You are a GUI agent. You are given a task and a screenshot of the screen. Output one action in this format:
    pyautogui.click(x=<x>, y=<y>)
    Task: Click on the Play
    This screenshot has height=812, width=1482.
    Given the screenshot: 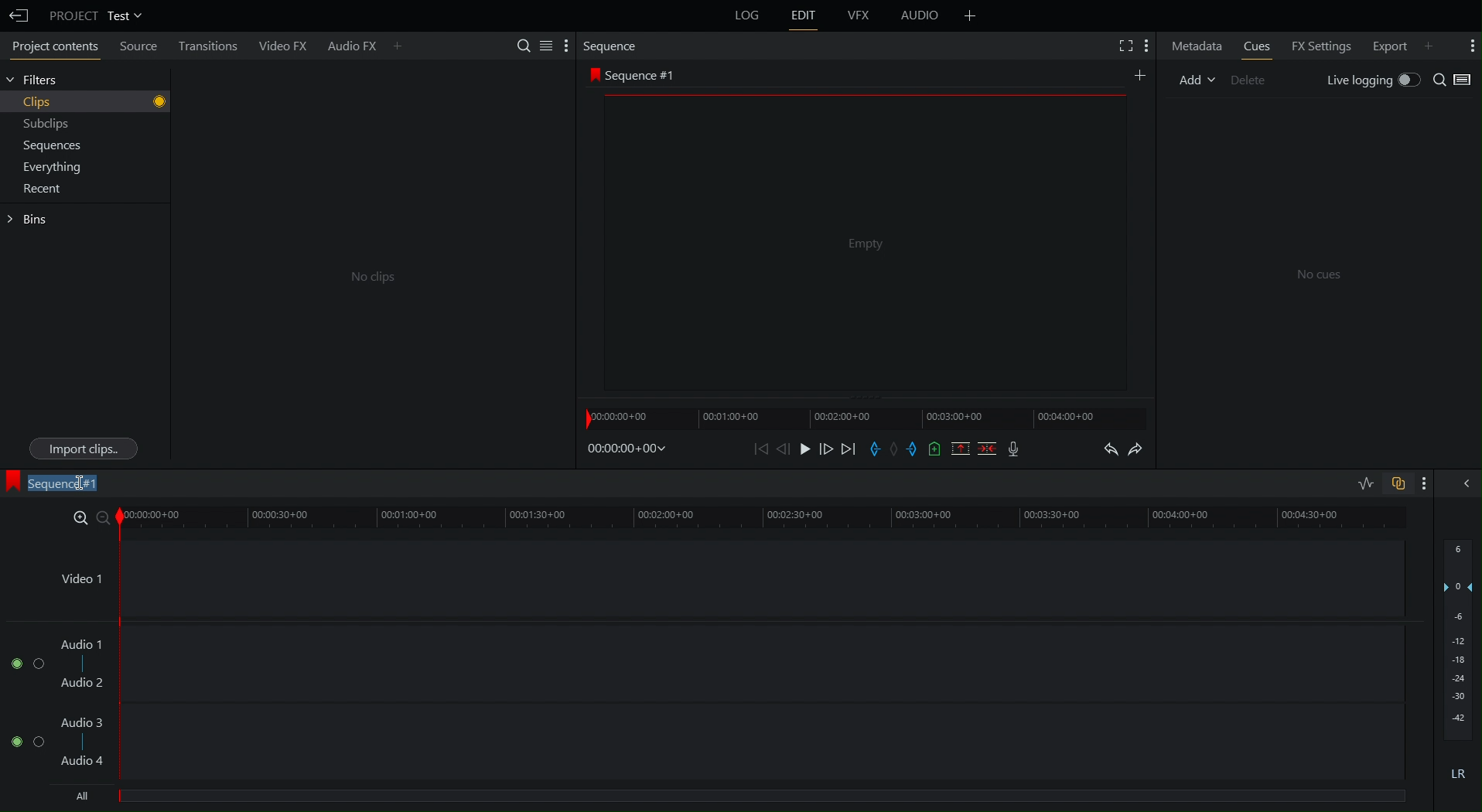 What is the action you would take?
    pyautogui.click(x=804, y=449)
    